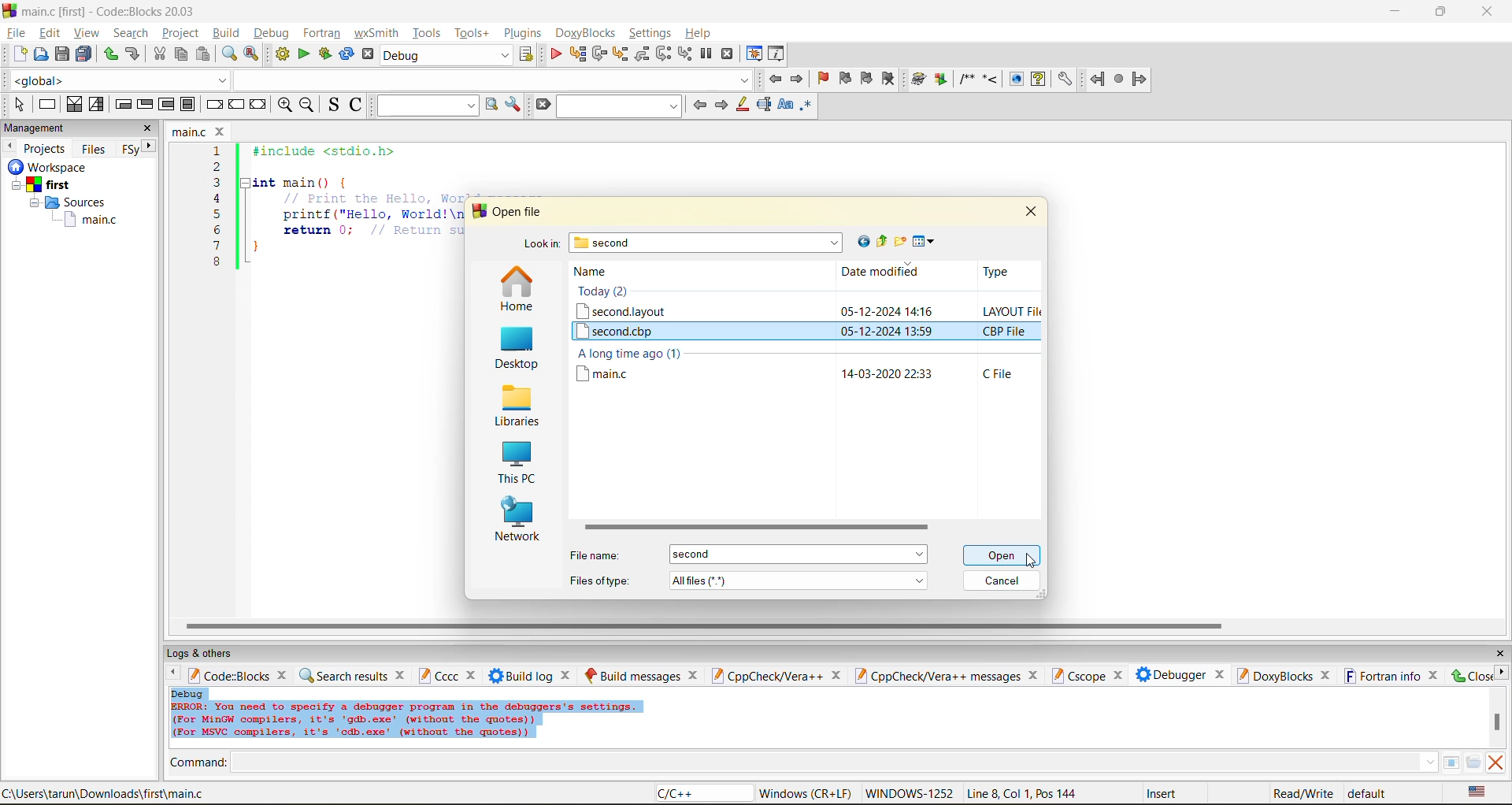 This screenshot has height=805, width=1512. I want to click on go to last, so click(861, 241).